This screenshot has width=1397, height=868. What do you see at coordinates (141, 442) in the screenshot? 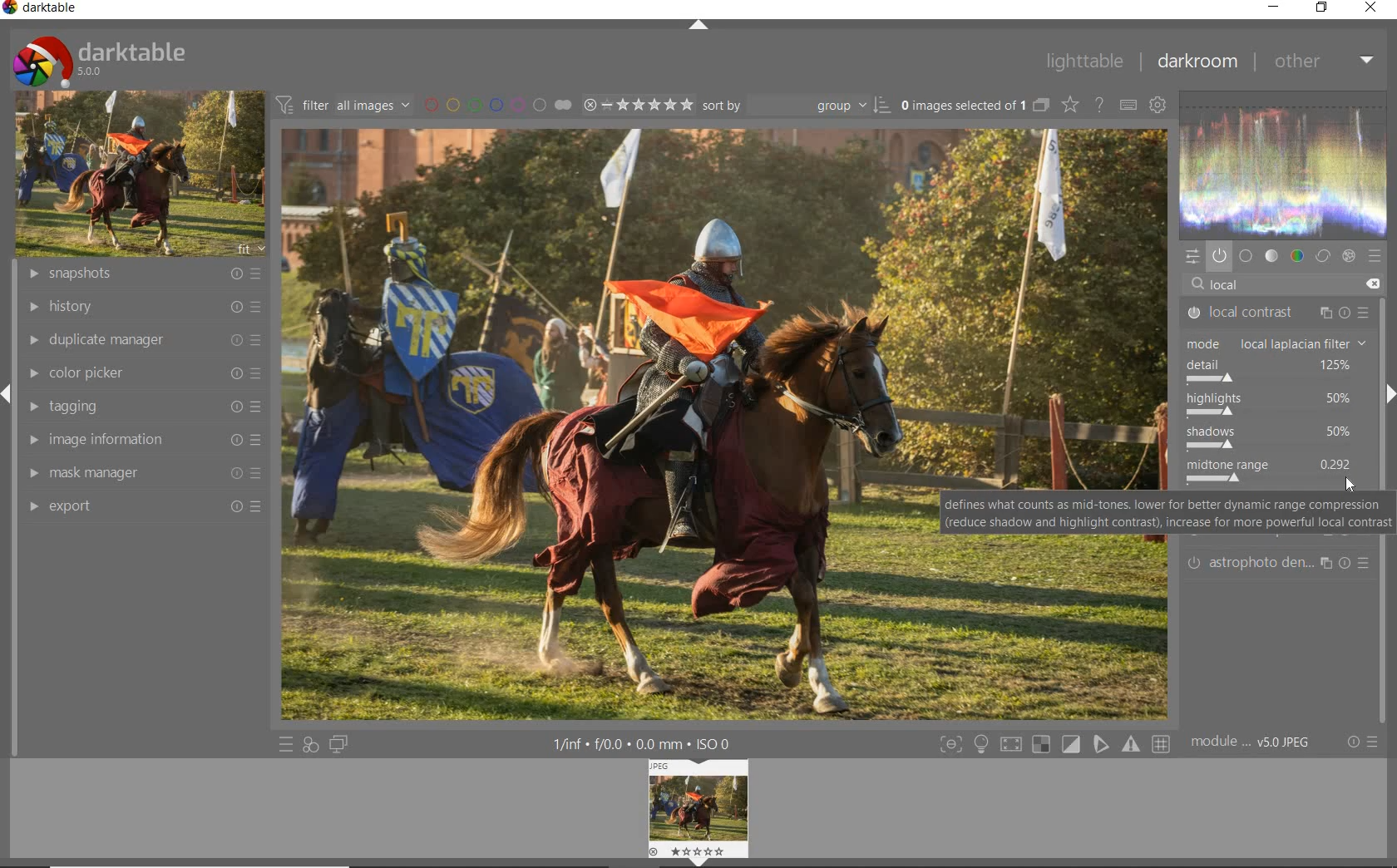
I see `image information` at bounding box center [141, 442].